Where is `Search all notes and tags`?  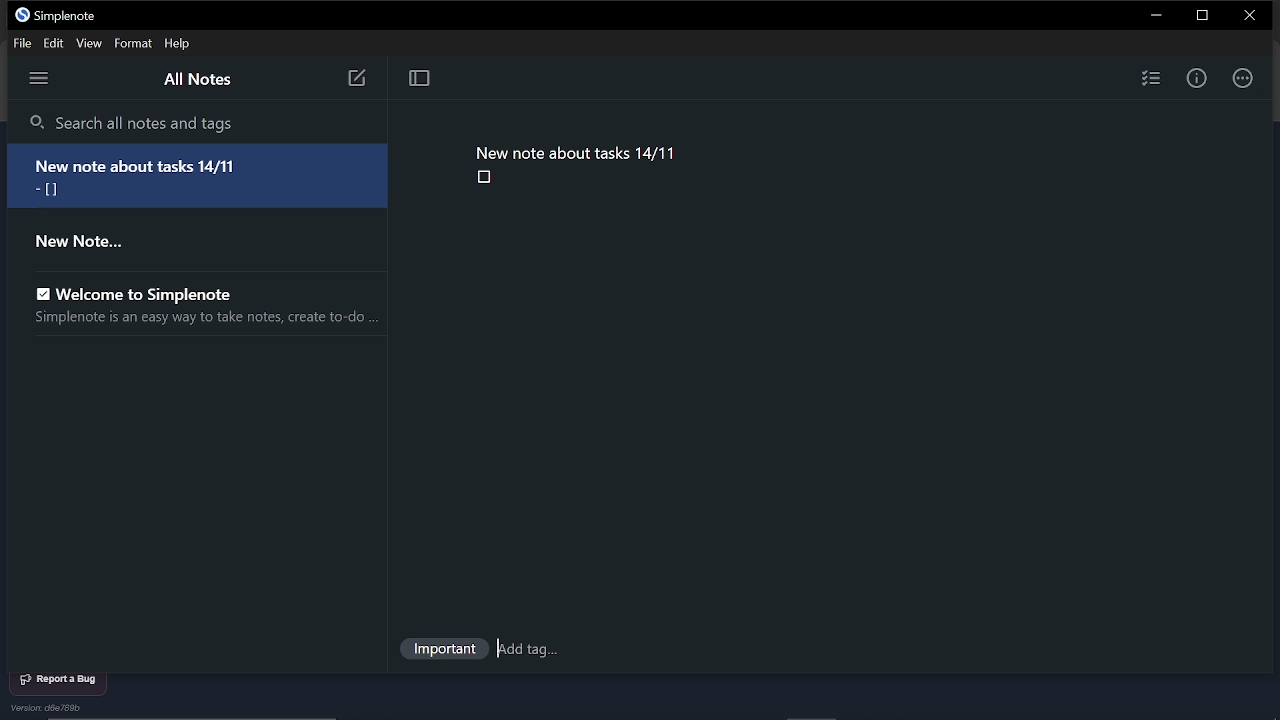
Search all notes and tags is located at coordinates (197, 122).